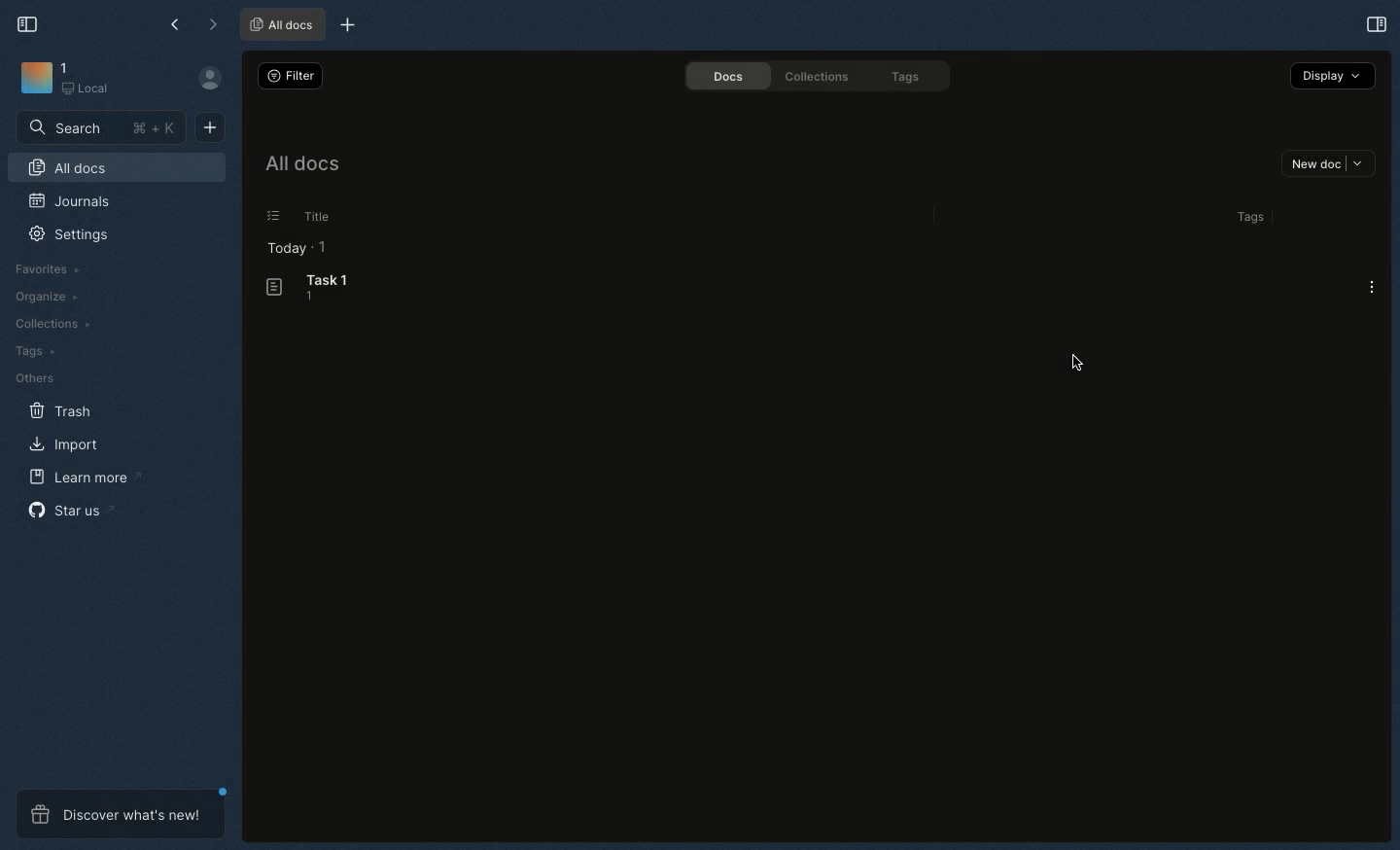 This screenshot has height=850, width=1400. I want to click on Discover what's new!, so click(122, 814).